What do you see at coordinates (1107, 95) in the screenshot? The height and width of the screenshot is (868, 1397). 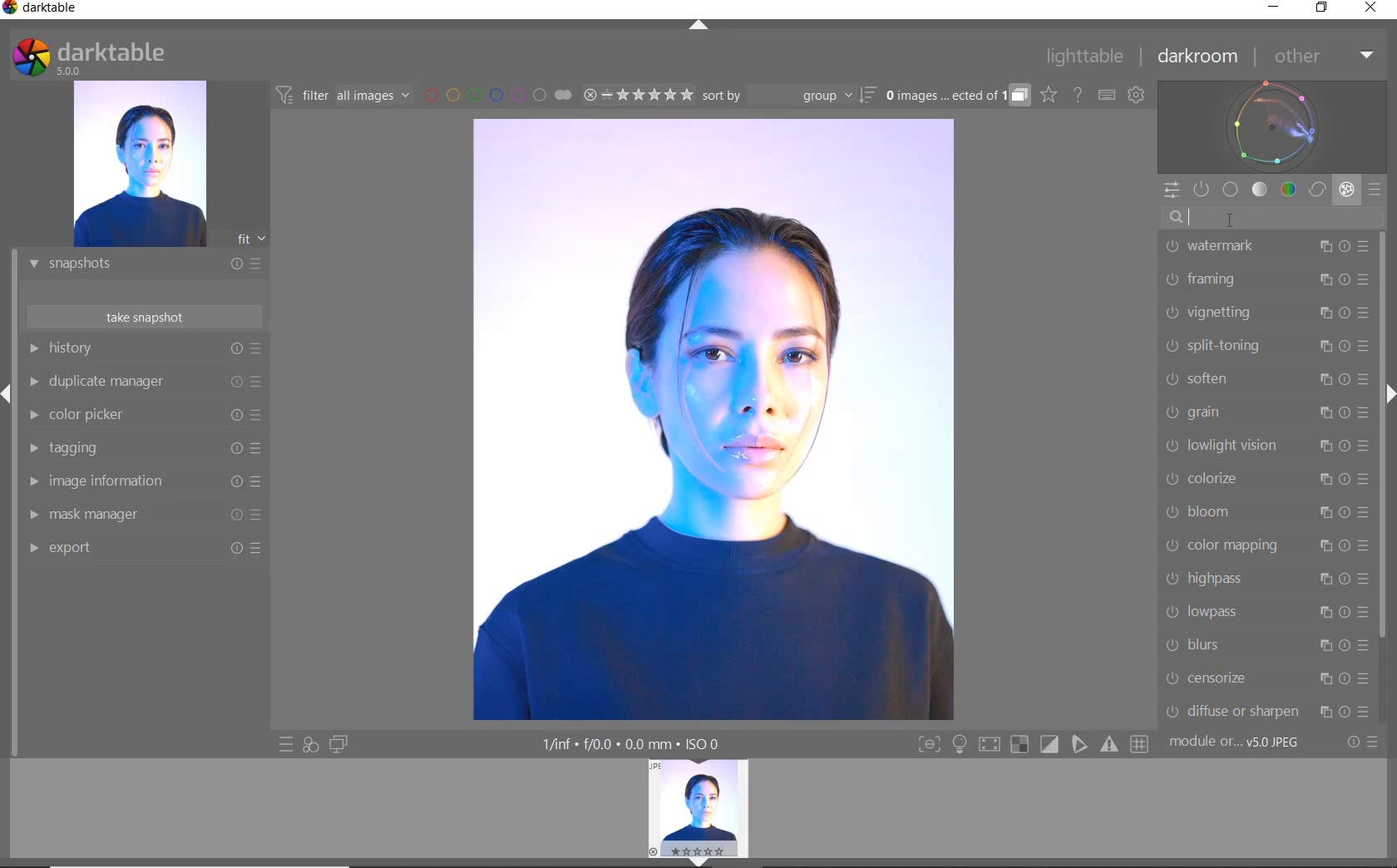 I see `SET KEYBOARD SHORTCUTS` at bounding box center [1107, 95].